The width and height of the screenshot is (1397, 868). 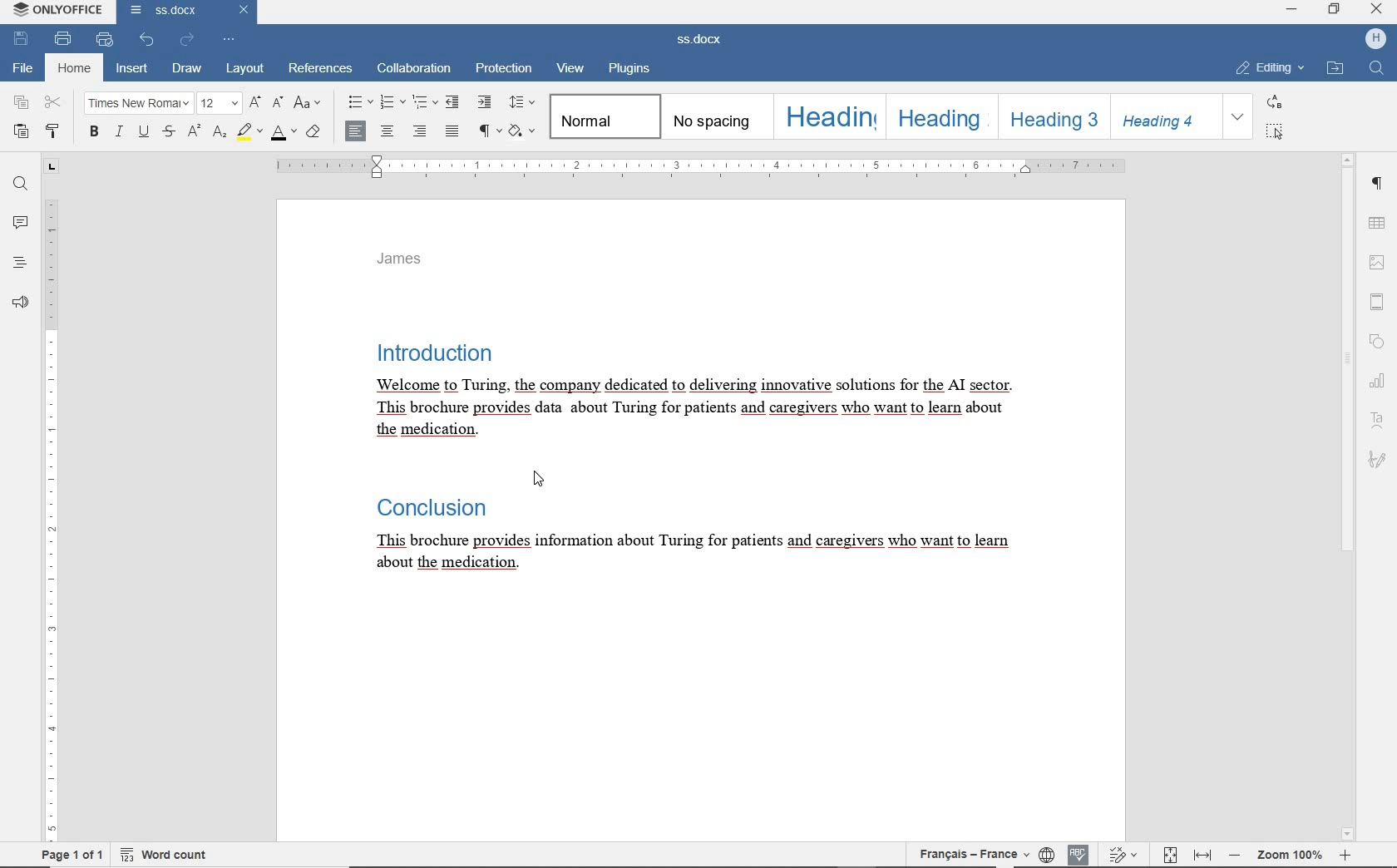 I want to click on FIND, so click(x=21, y=184).